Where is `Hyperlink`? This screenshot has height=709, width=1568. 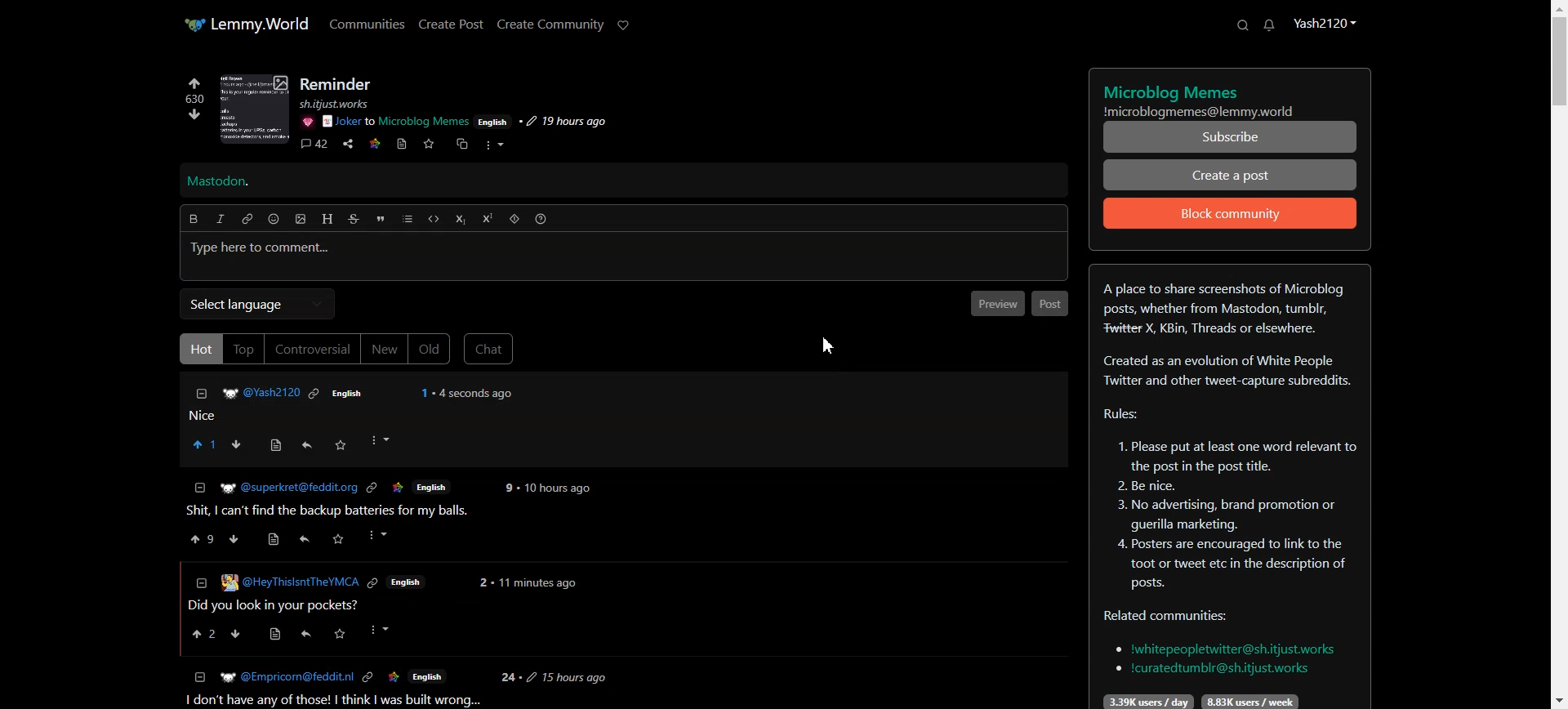
Hyperlink is located at coordinates (247, 219).